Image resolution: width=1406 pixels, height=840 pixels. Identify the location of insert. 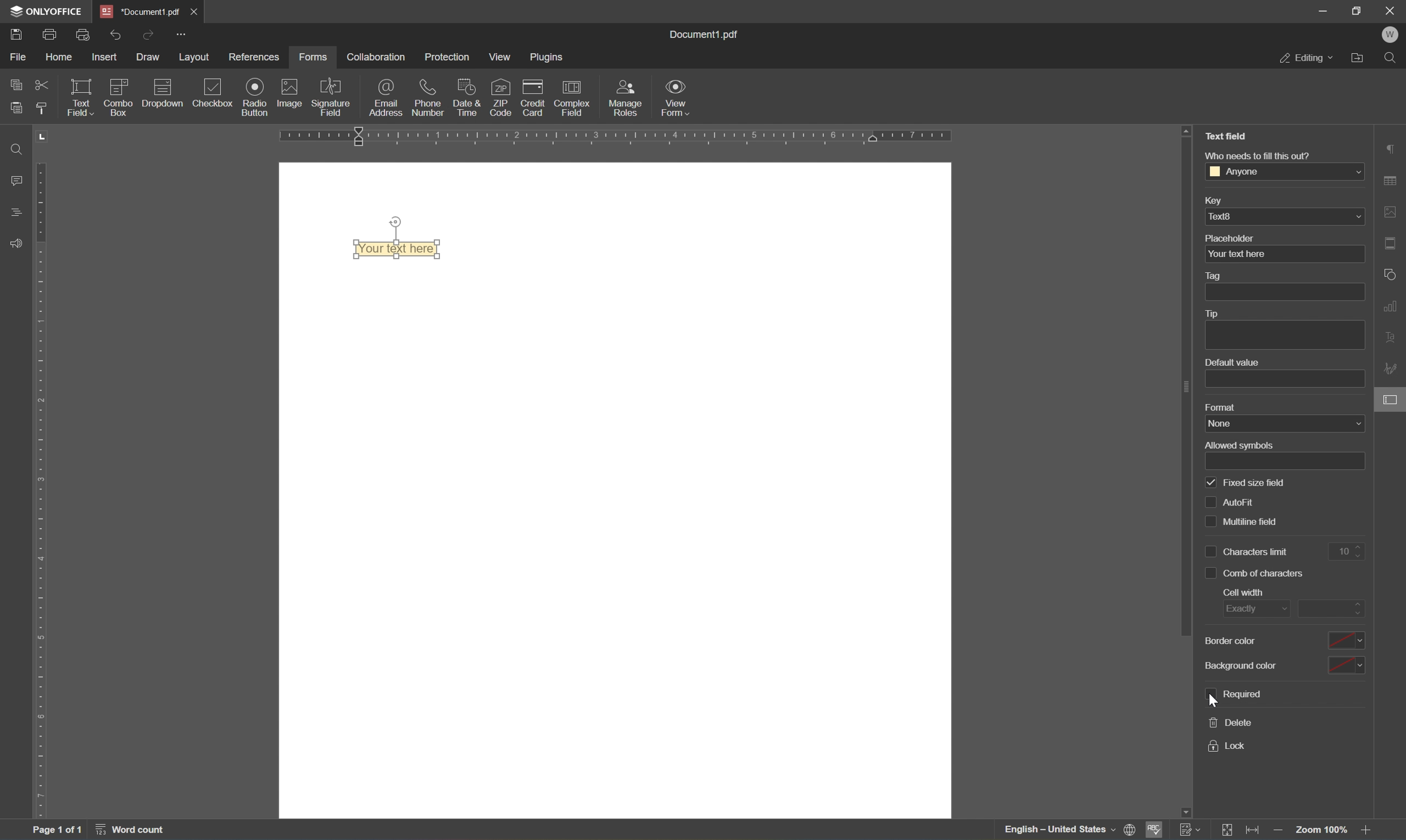
(105, 57).